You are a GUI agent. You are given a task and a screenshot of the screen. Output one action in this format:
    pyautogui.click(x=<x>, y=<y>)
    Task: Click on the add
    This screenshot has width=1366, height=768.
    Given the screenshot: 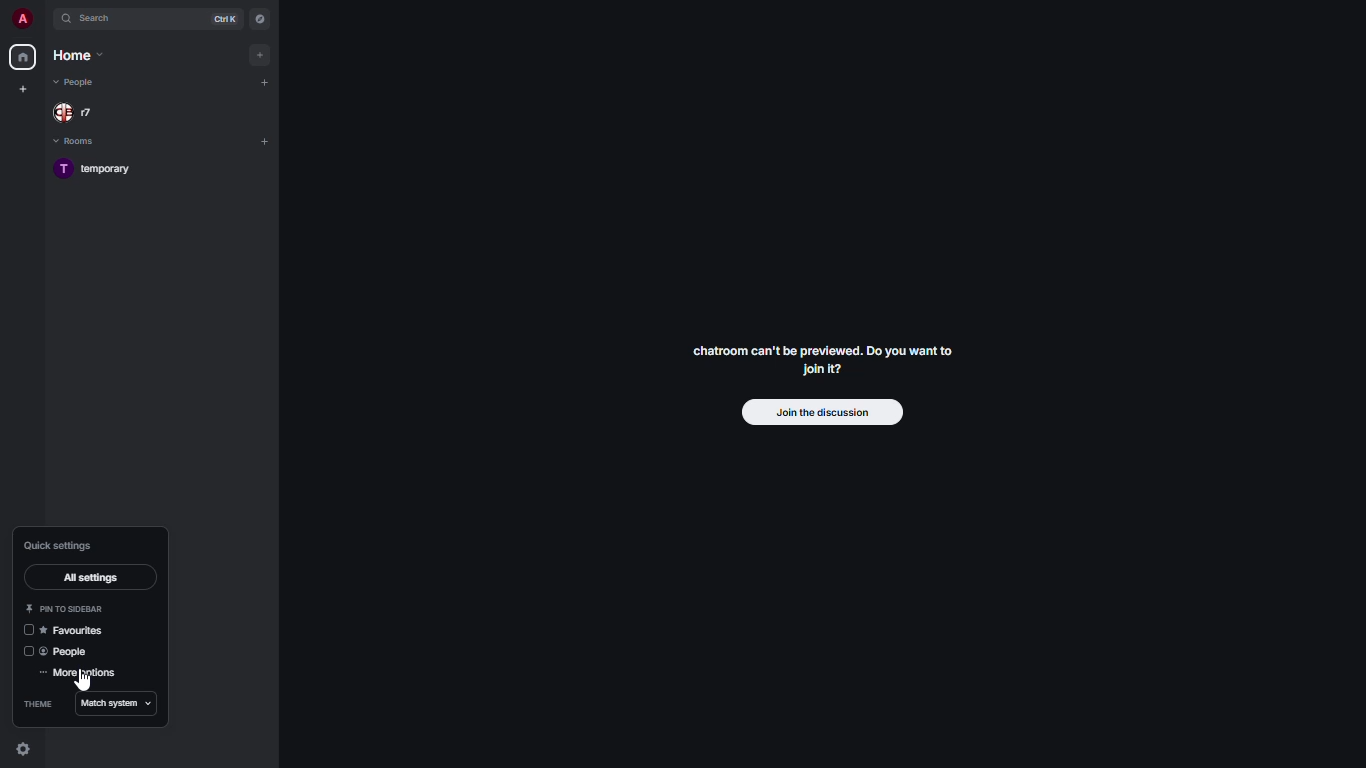 What is the action you would take?
    pyautogui.click(x=265, y=80)
    